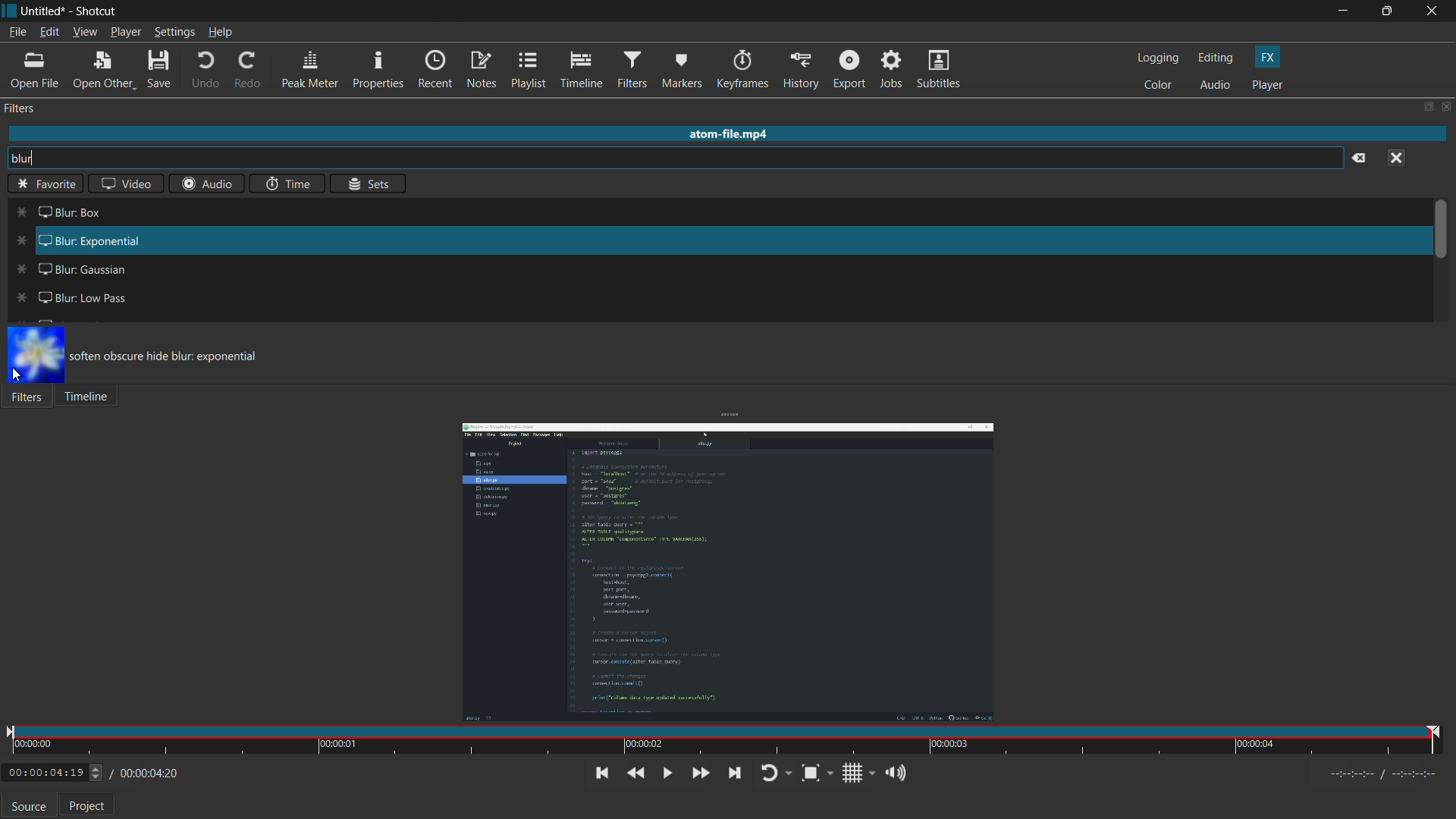 The image size is (1456, 819). I want to click on skip to the next point, so click(739, 773).